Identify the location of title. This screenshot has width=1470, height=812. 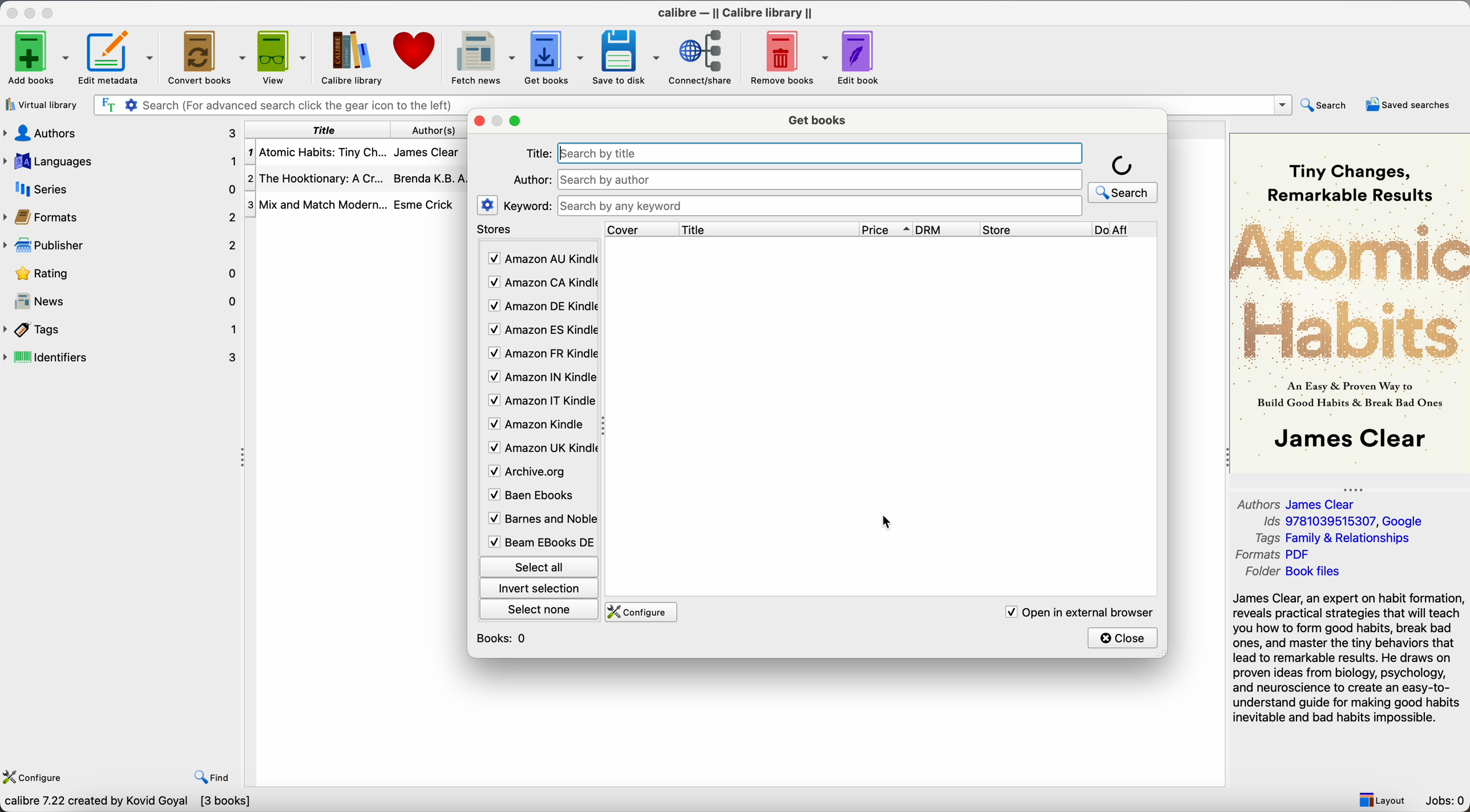
(324, 130).